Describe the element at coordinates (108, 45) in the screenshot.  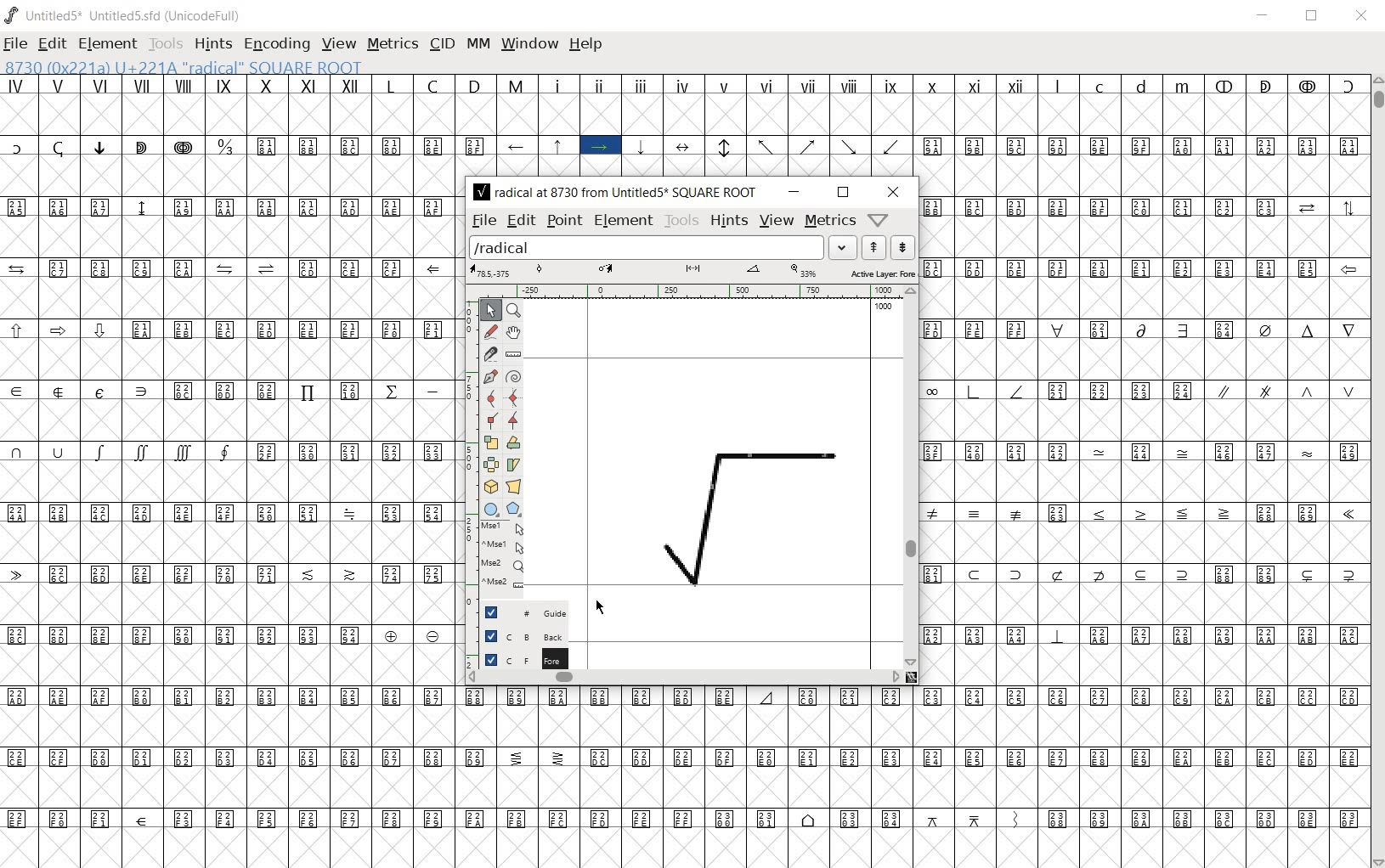
I see `ELEMENT` at that location.